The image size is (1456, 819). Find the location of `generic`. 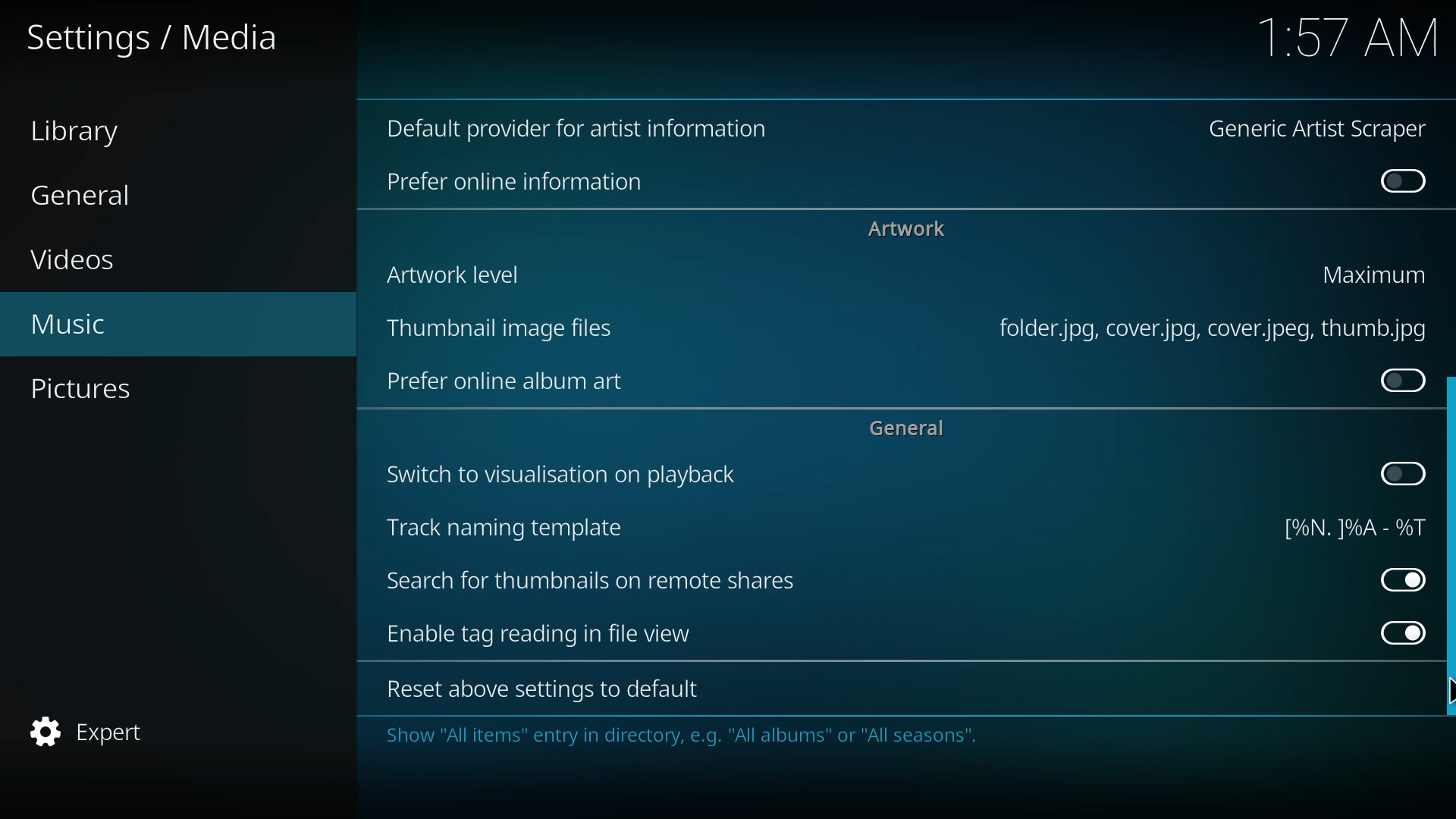

generic is located at coordinates (1321, 130).